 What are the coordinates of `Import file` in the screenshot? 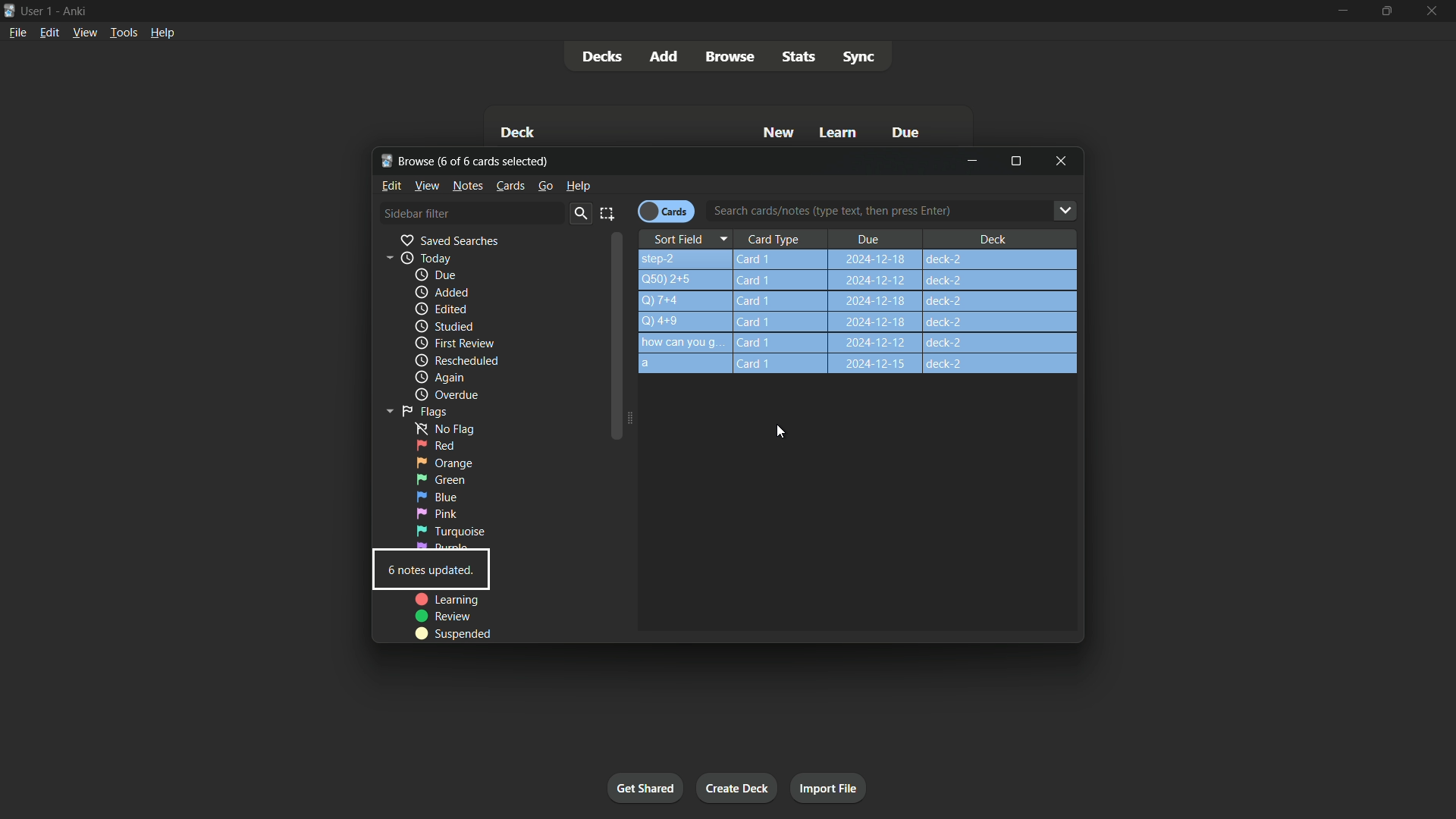 It's located at (830, 789).